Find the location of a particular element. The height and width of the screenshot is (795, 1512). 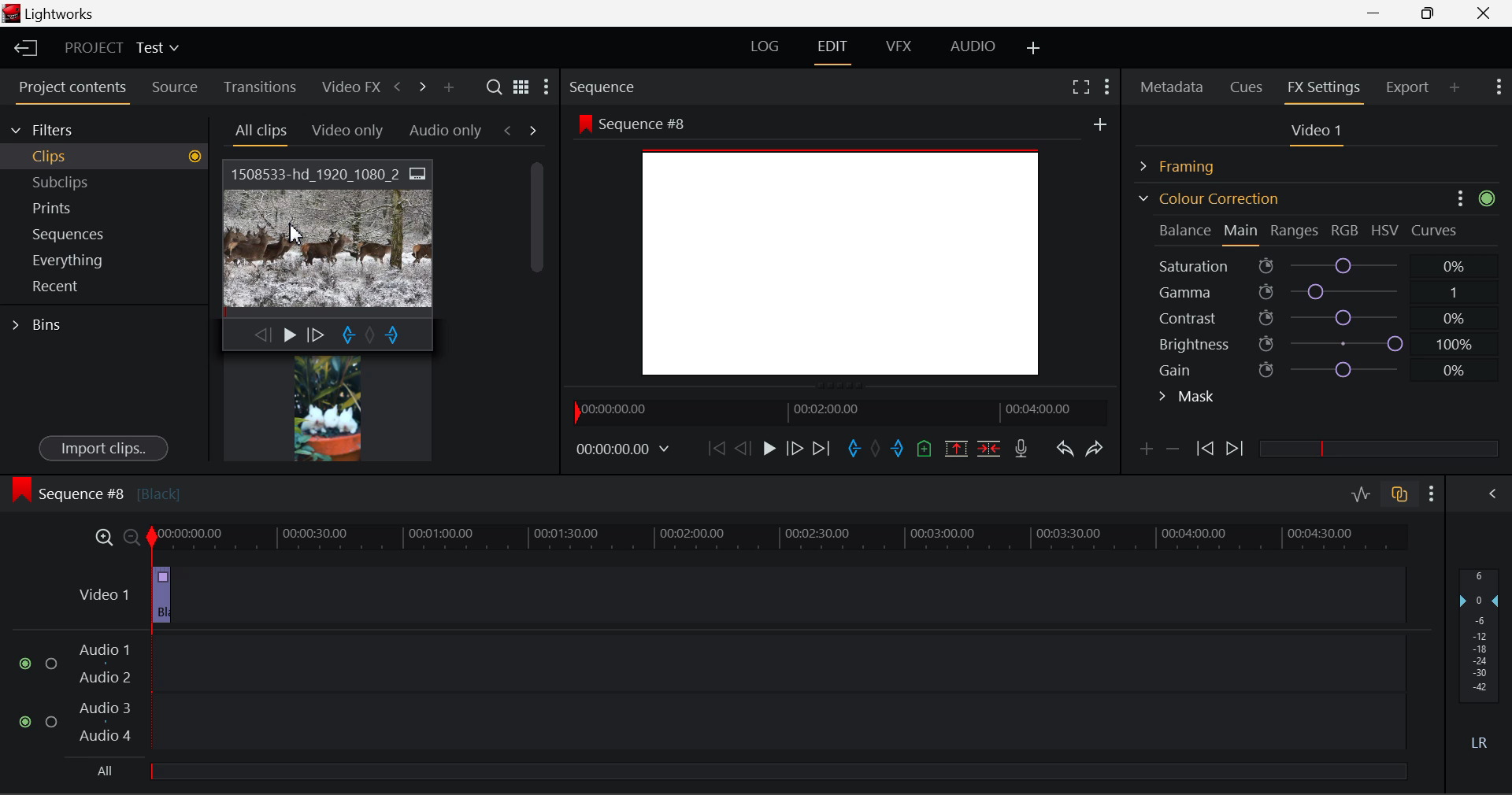

Brightness is located at coordinates (1318, 341).